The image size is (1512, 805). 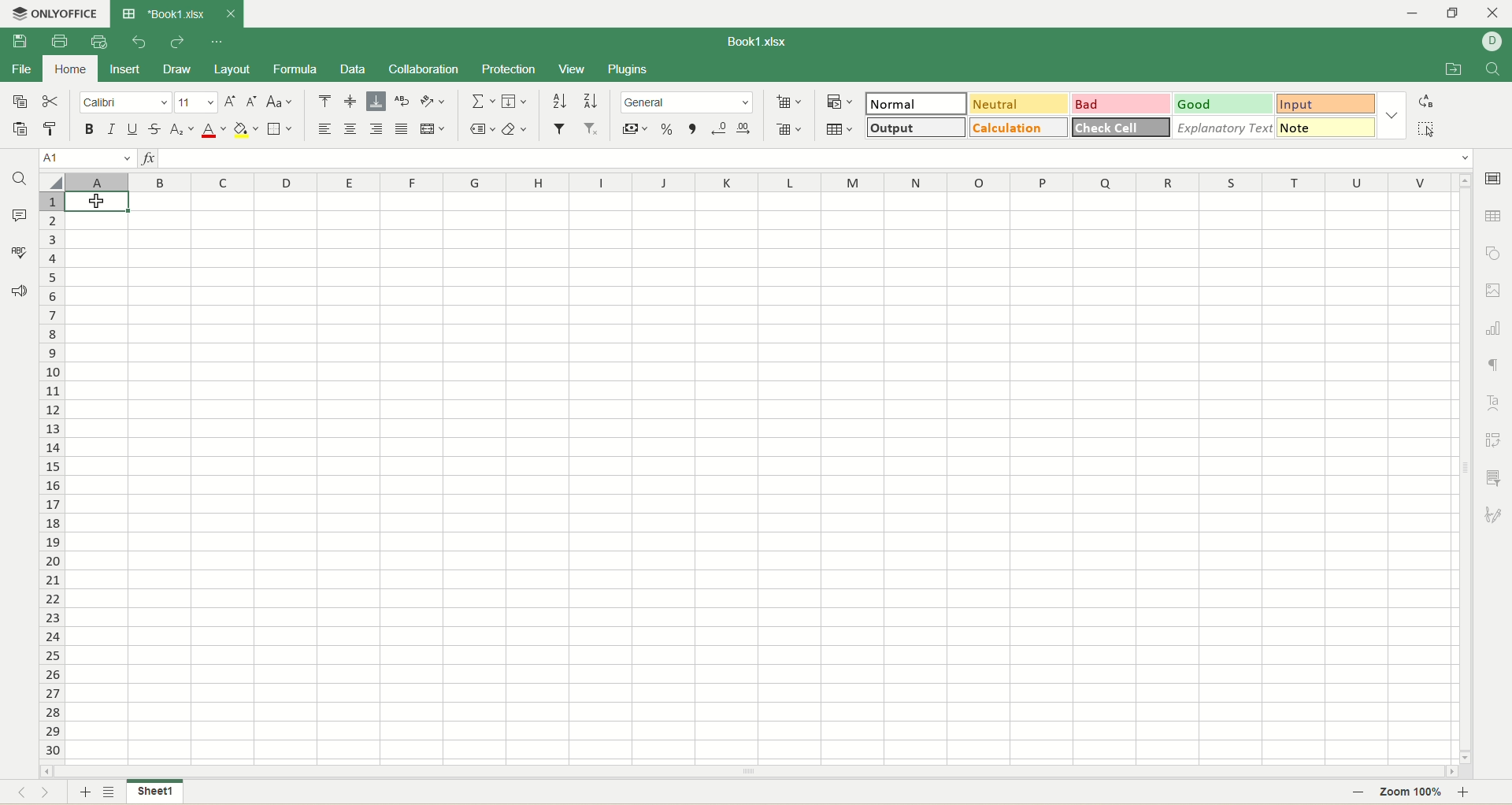 What do you see at coordinates (124, 69) in the screenshot?
I see `insert` at bounding box center [124, 69].